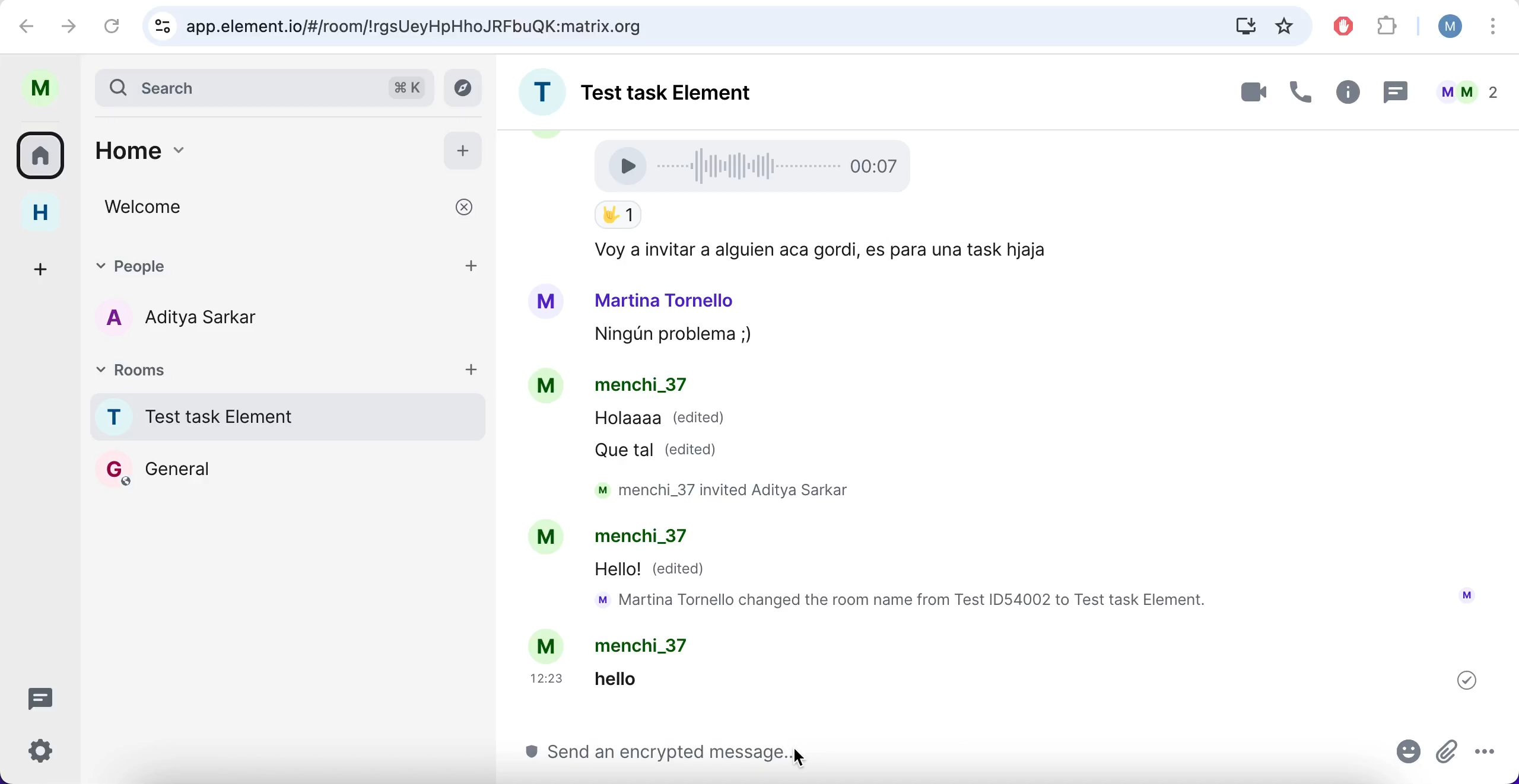  Describe the element at coordinates (1410, 756) in the screenshot. I see `emoji` at that location.